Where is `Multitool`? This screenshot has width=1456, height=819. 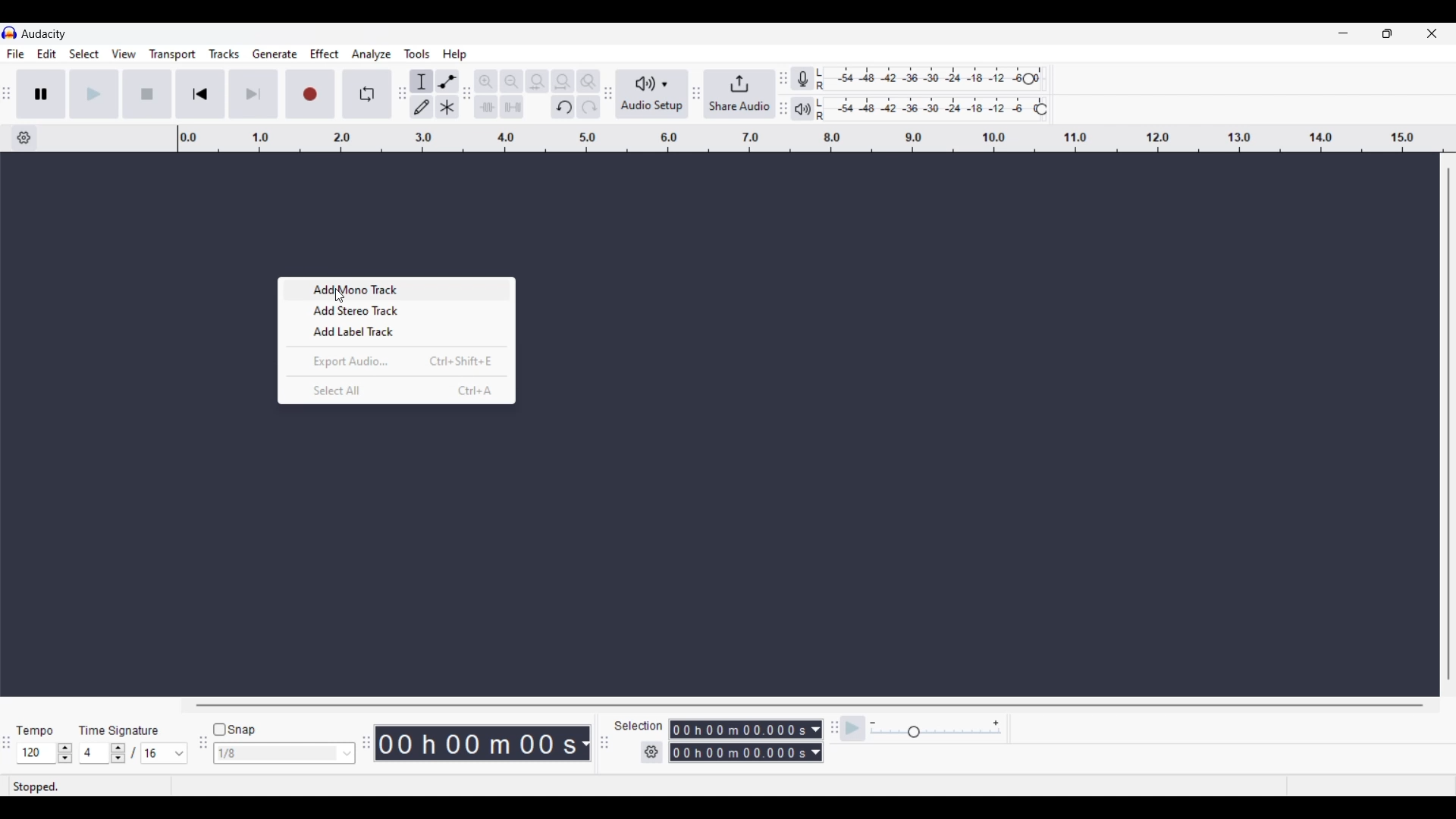
Multitool is located at coordinates (447, 108).